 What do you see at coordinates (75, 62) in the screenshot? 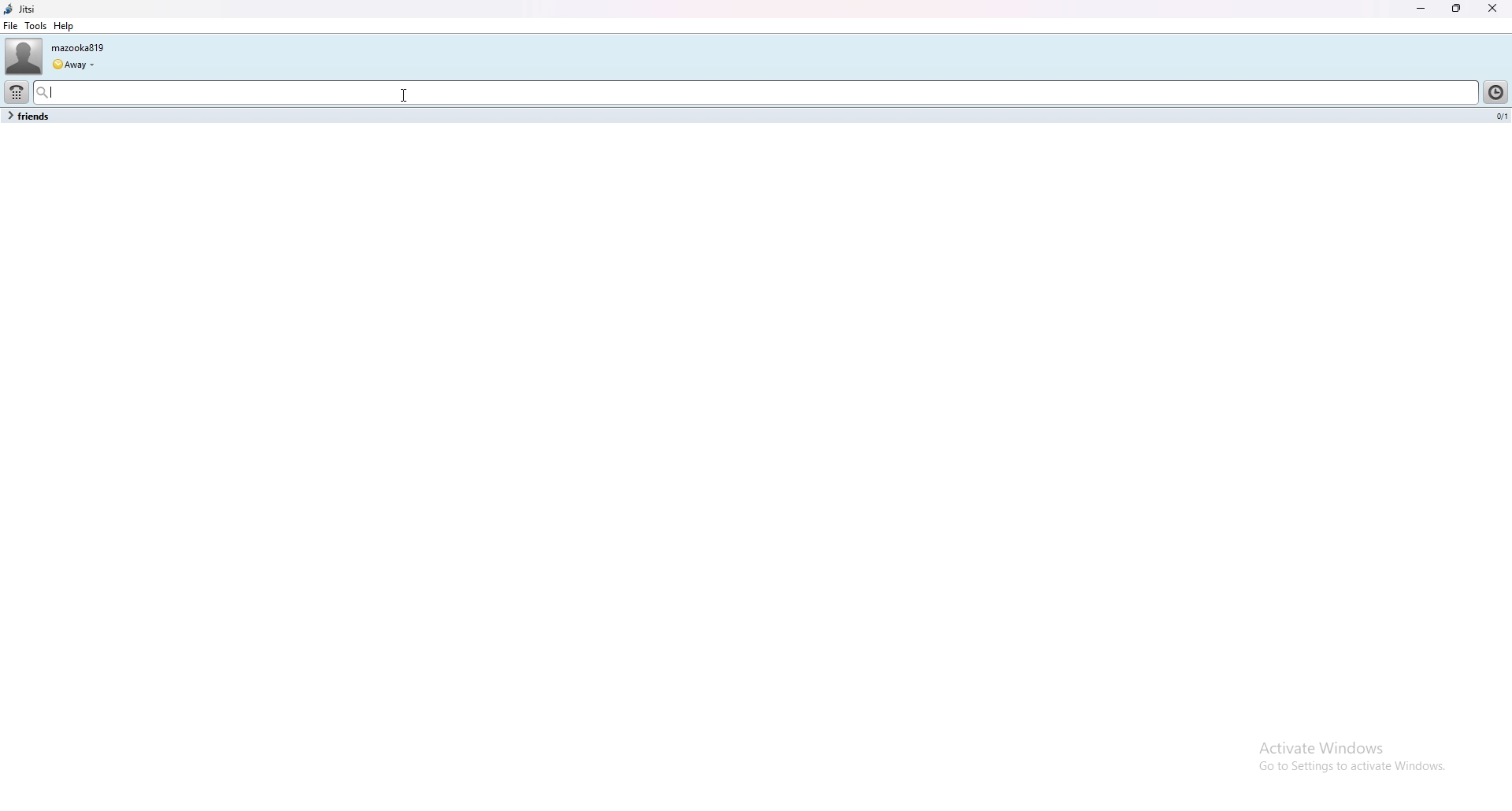
I see `Away ` at bounding box center [75, 62].